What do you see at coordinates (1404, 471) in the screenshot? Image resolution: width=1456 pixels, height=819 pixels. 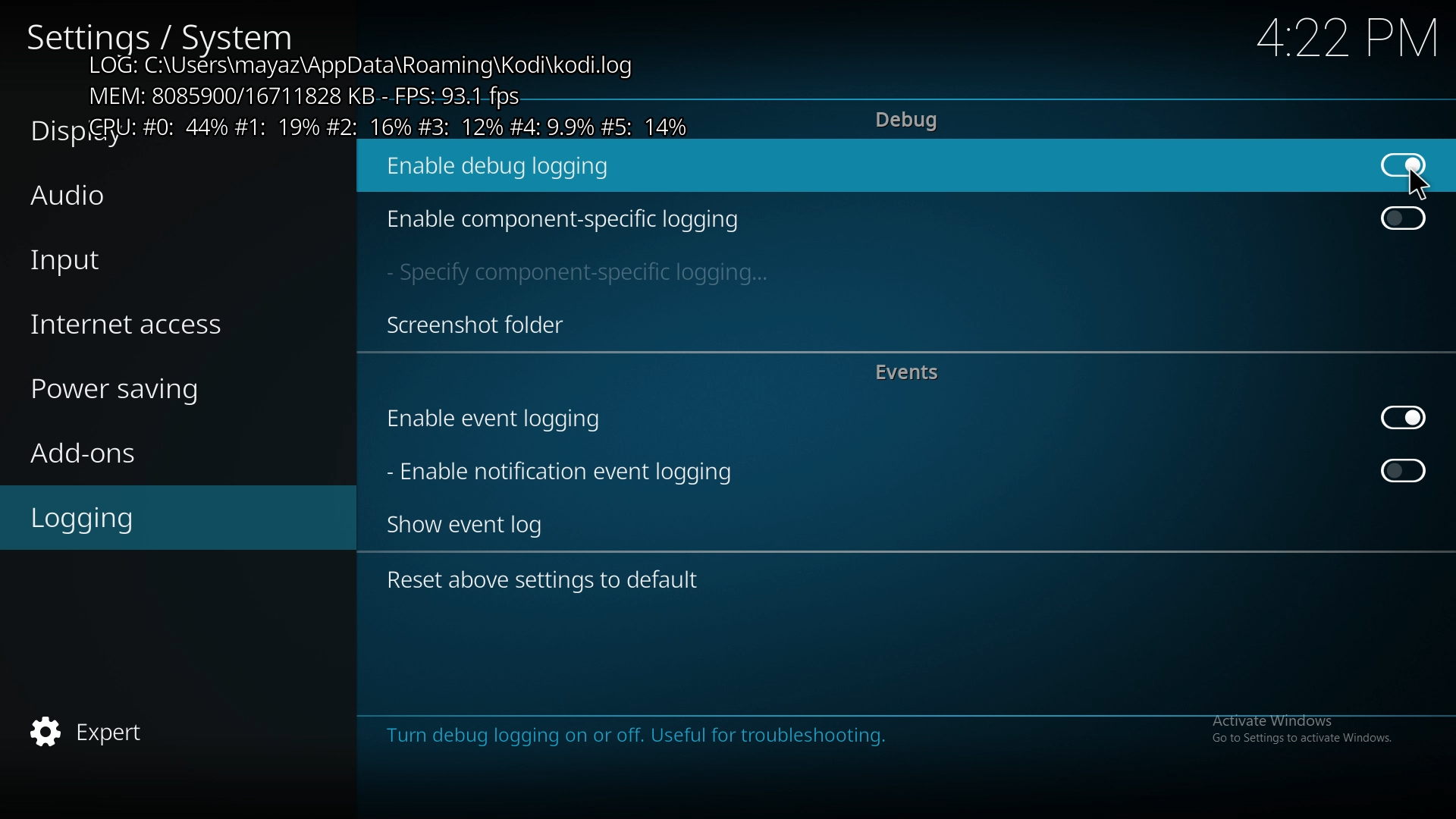 I see `off` at bounding box center [1404, 471].